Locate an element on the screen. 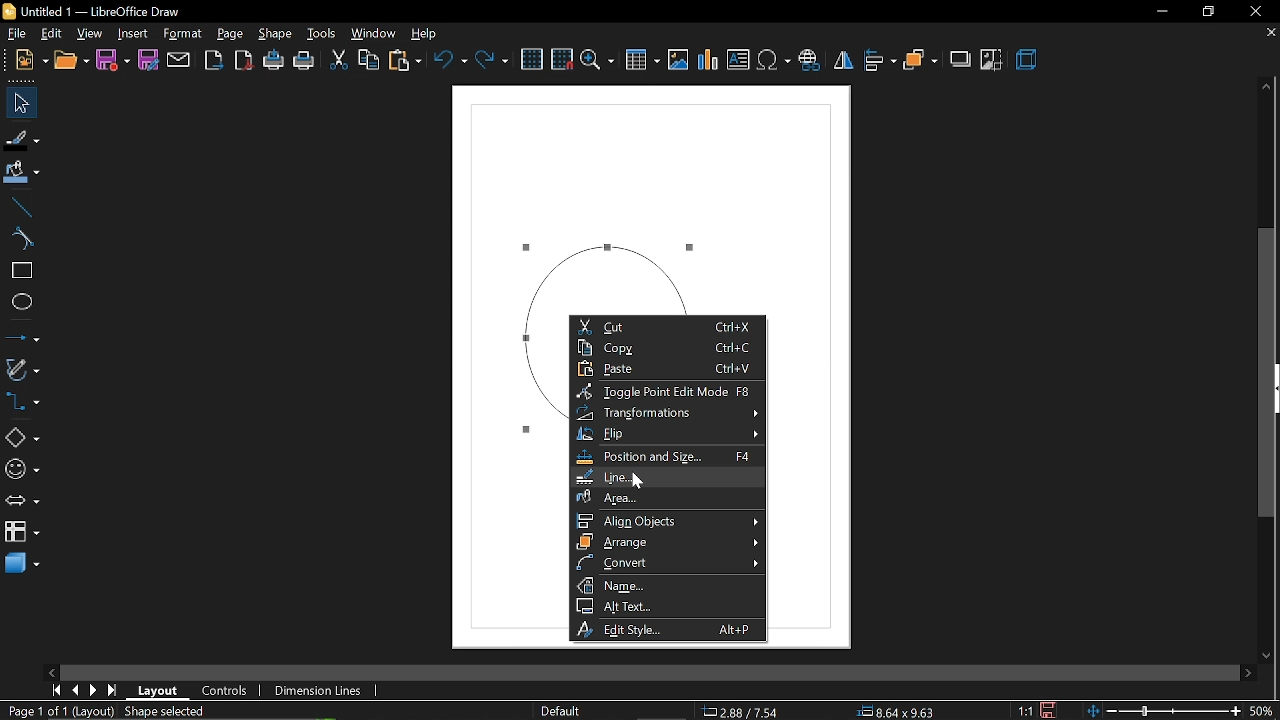  insert is located at coordinates (131, 34).